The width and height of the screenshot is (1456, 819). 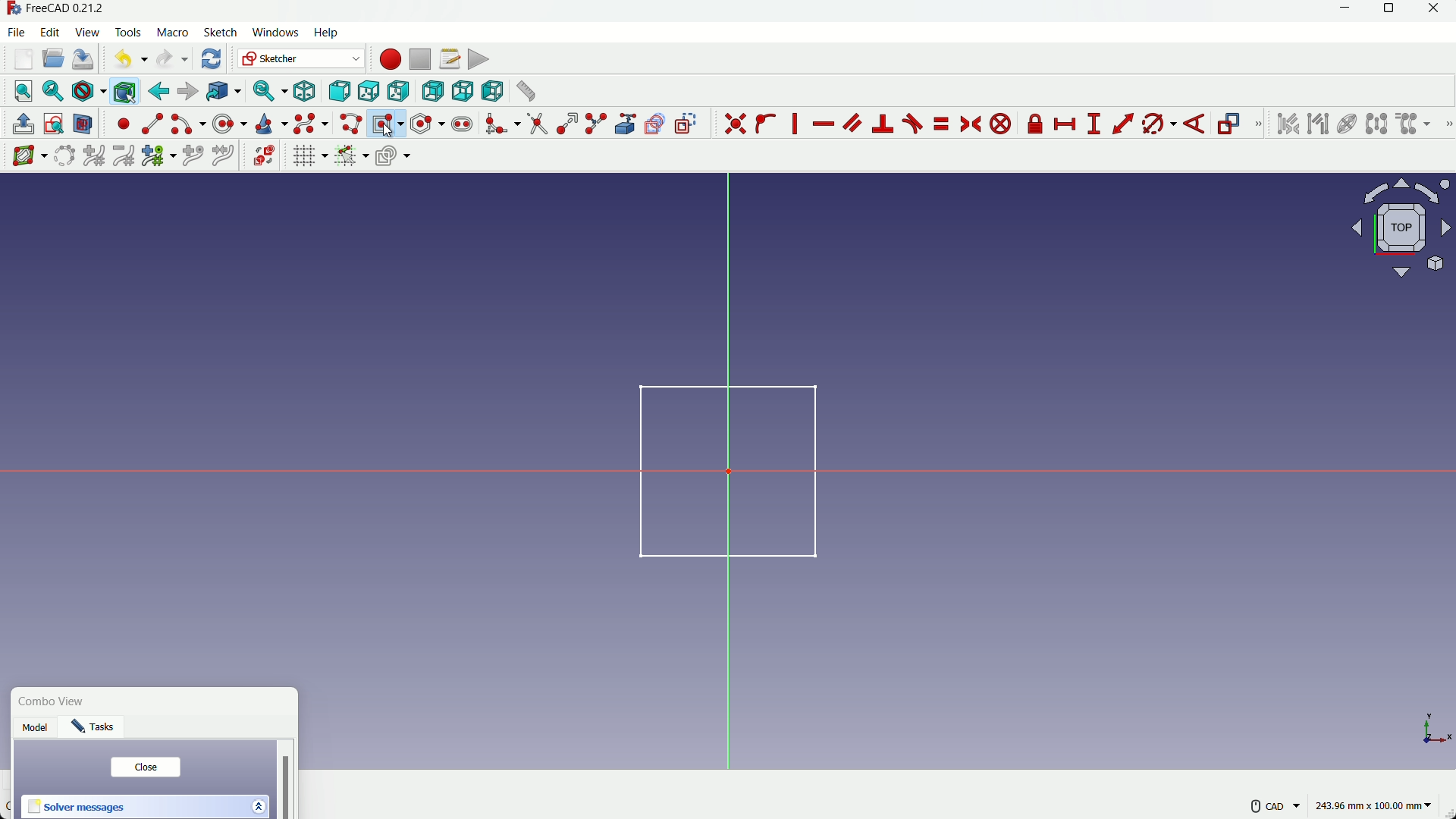 I want to click on join curves, so click(x=227, y=154).